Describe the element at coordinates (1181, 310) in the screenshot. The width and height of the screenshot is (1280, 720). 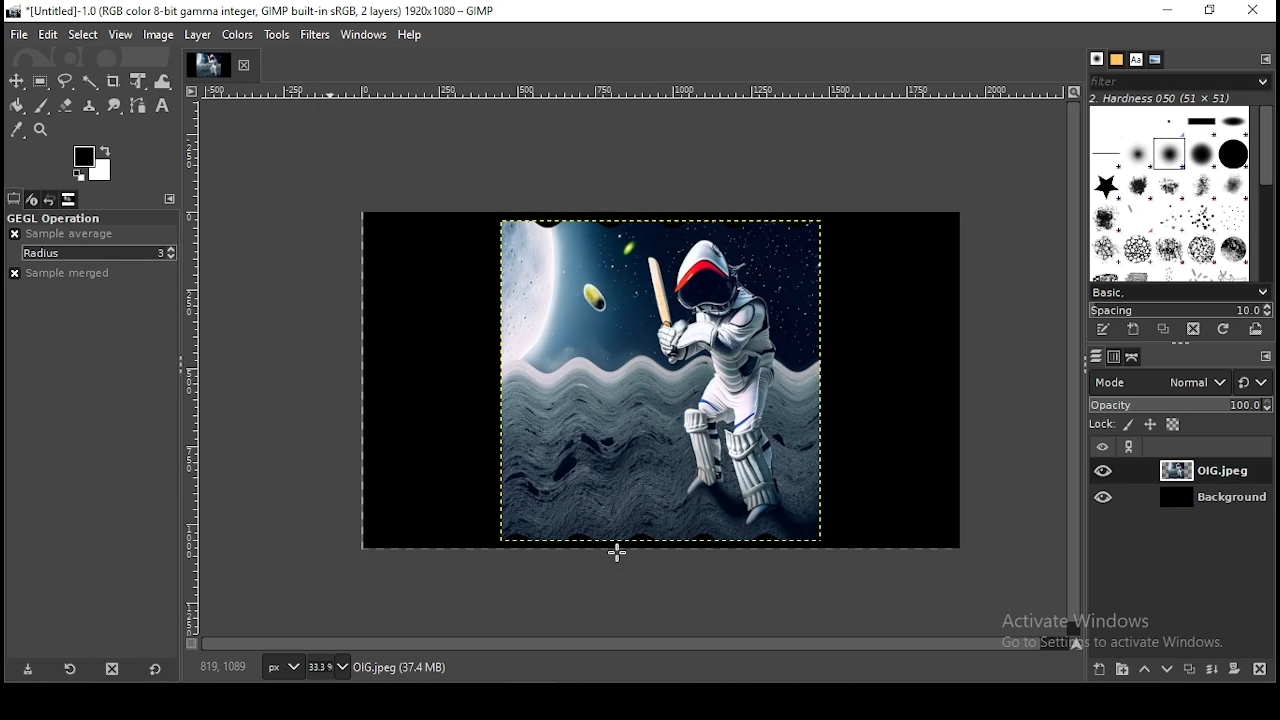
I see `spacing` at that location.